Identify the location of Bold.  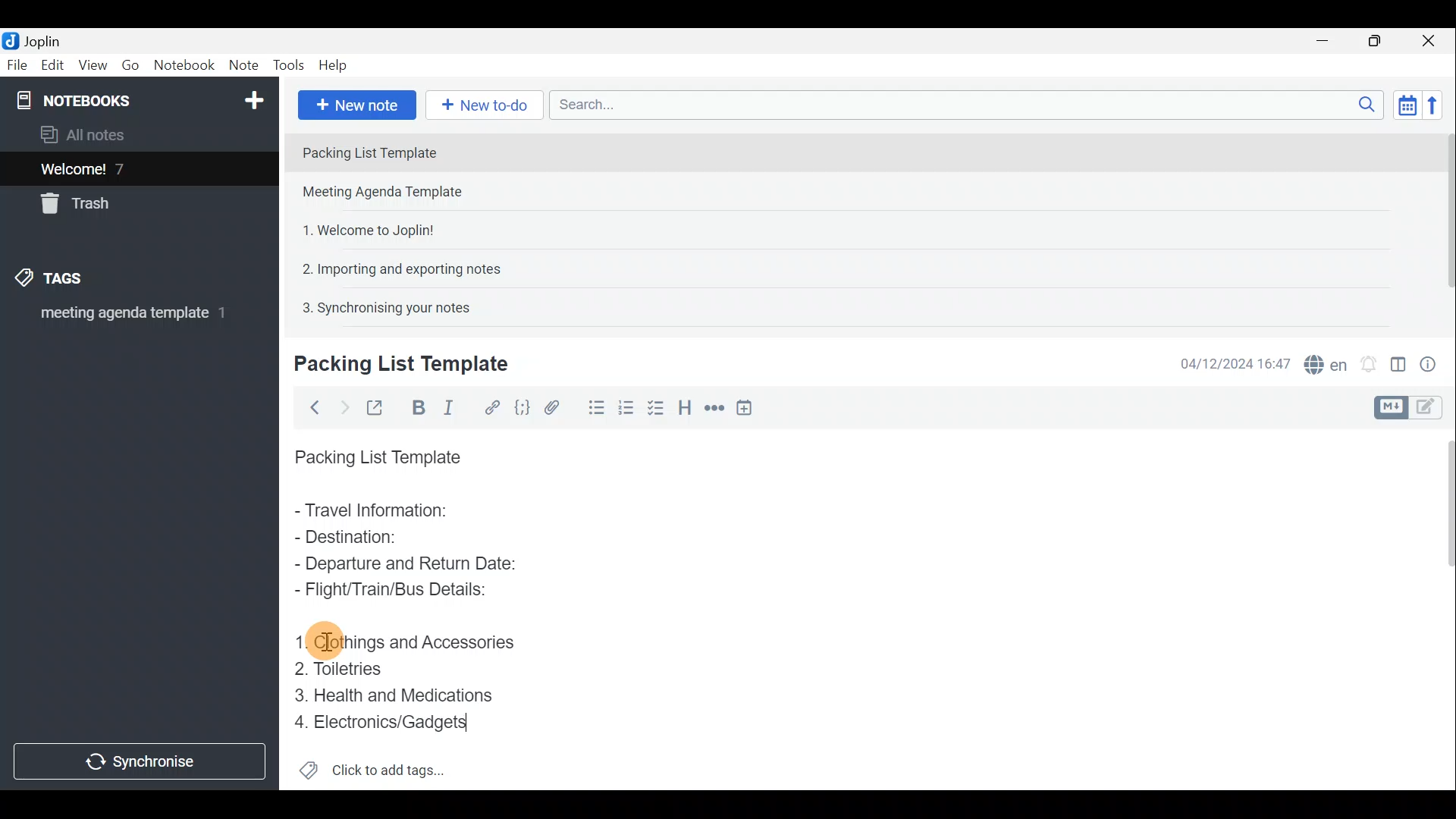
(416, 406).